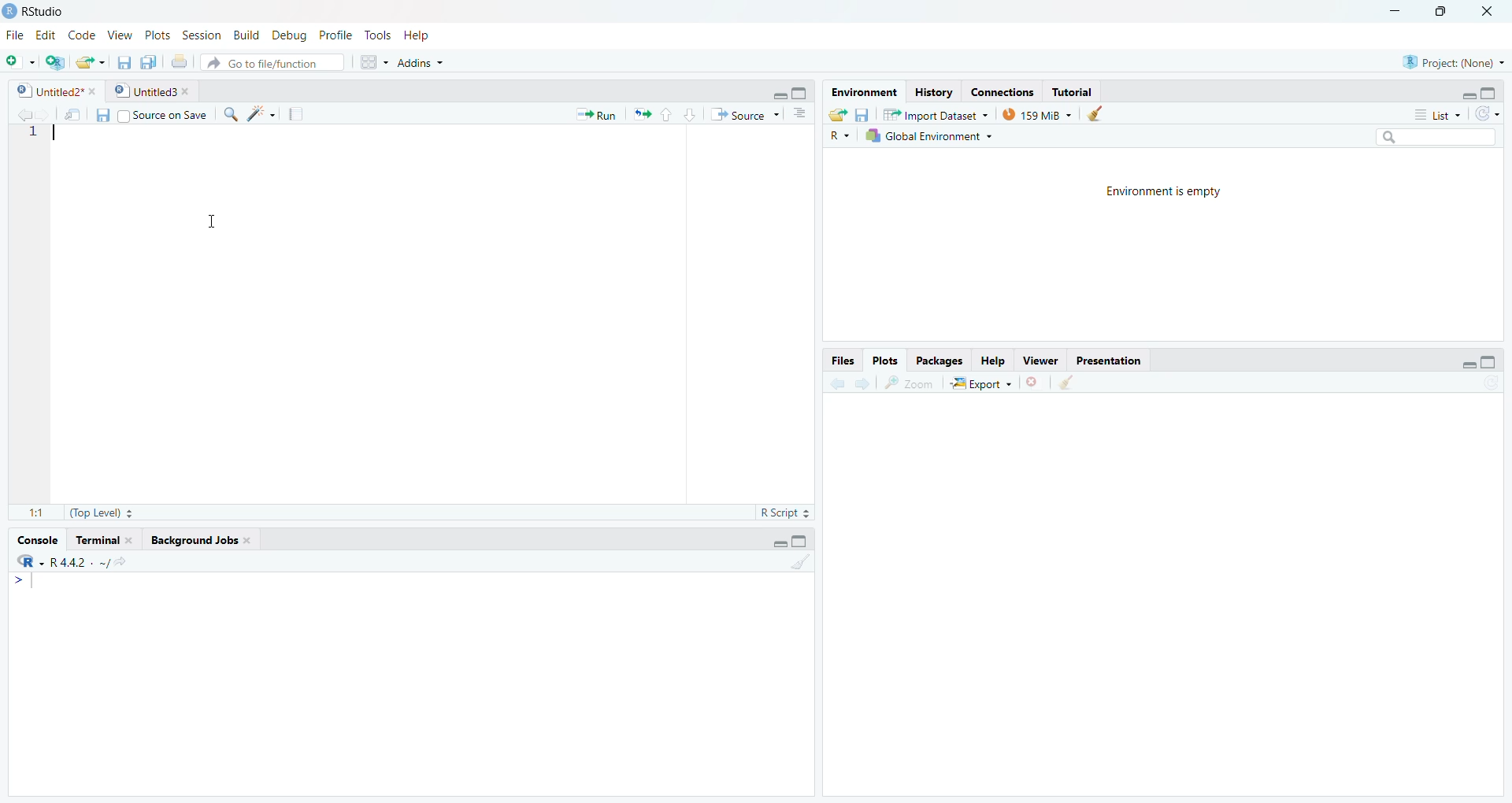  I want to click on 1:1, so click(36, 513).